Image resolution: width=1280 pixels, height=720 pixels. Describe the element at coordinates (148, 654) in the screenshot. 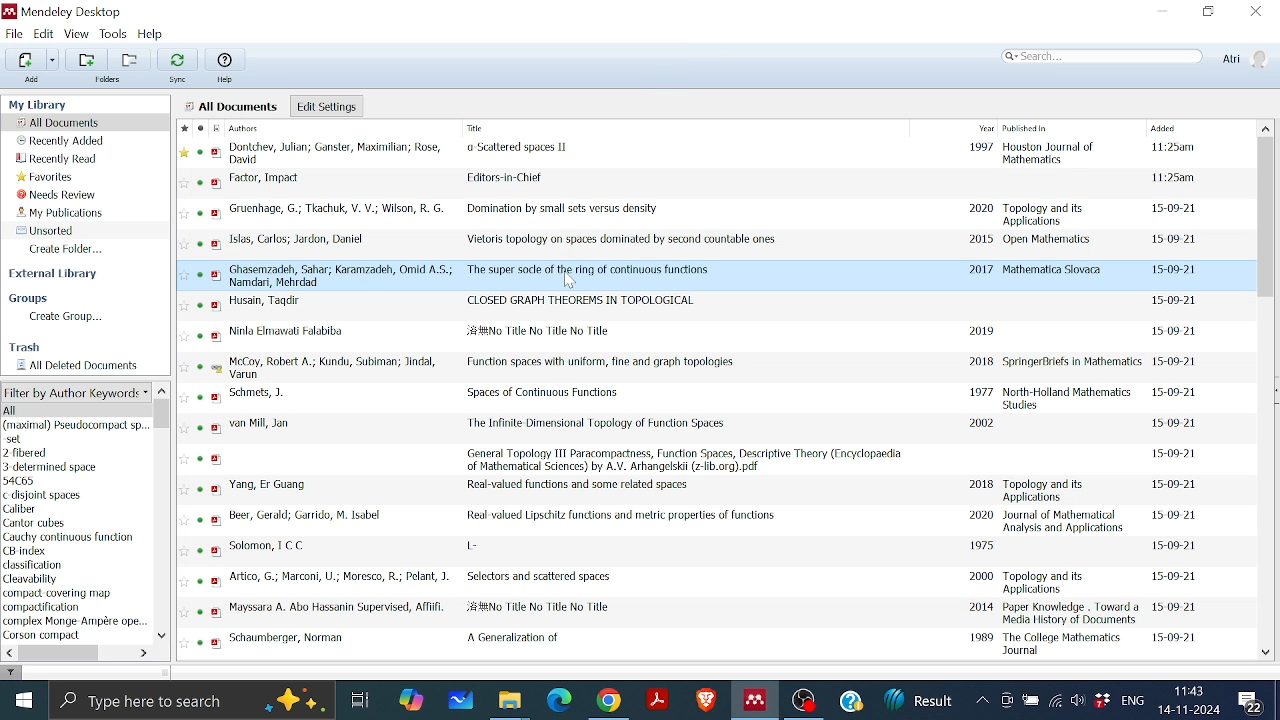

I see `Move right` at that location.